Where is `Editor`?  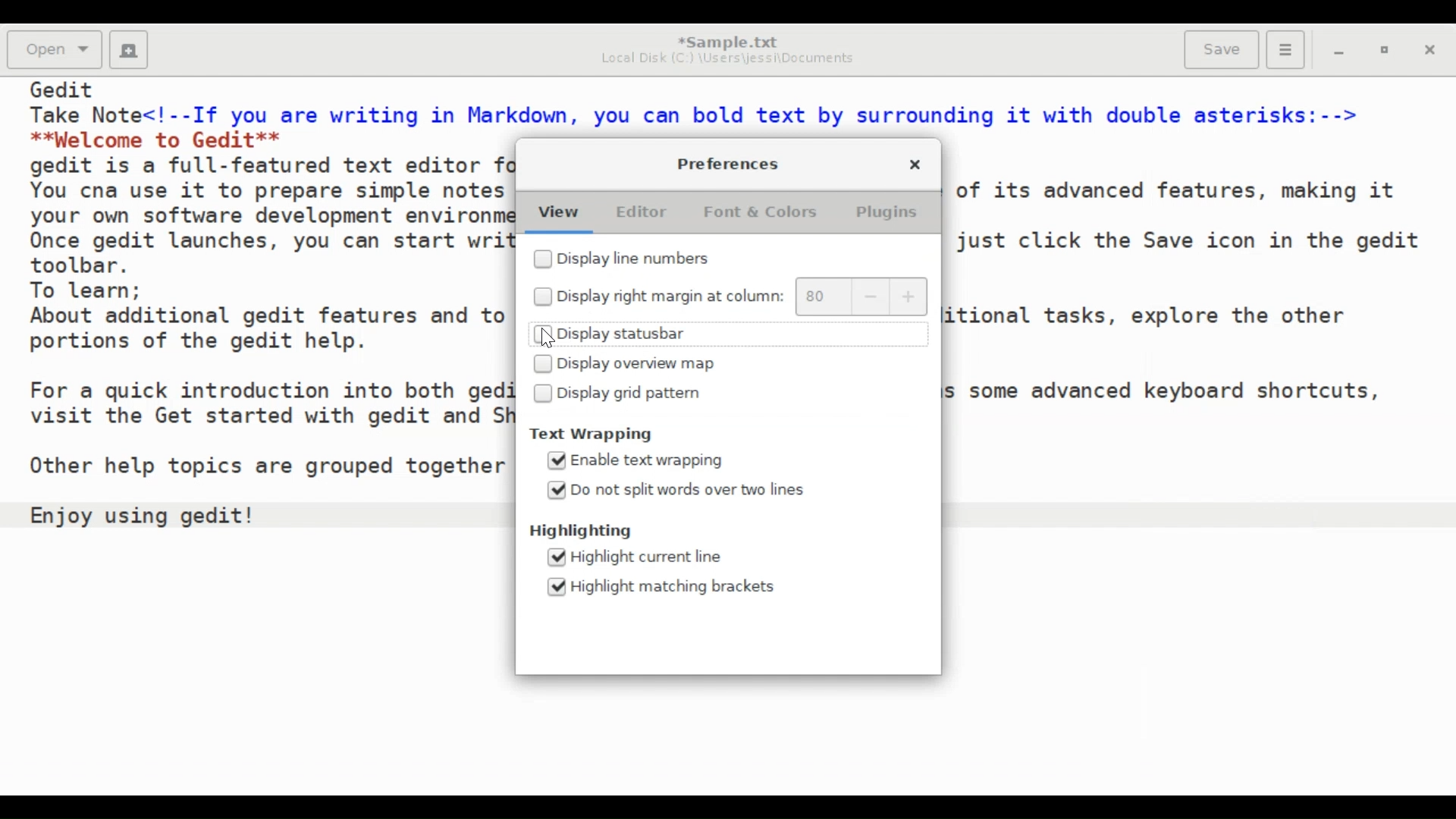
Editor is located at coordinates (644, 212).